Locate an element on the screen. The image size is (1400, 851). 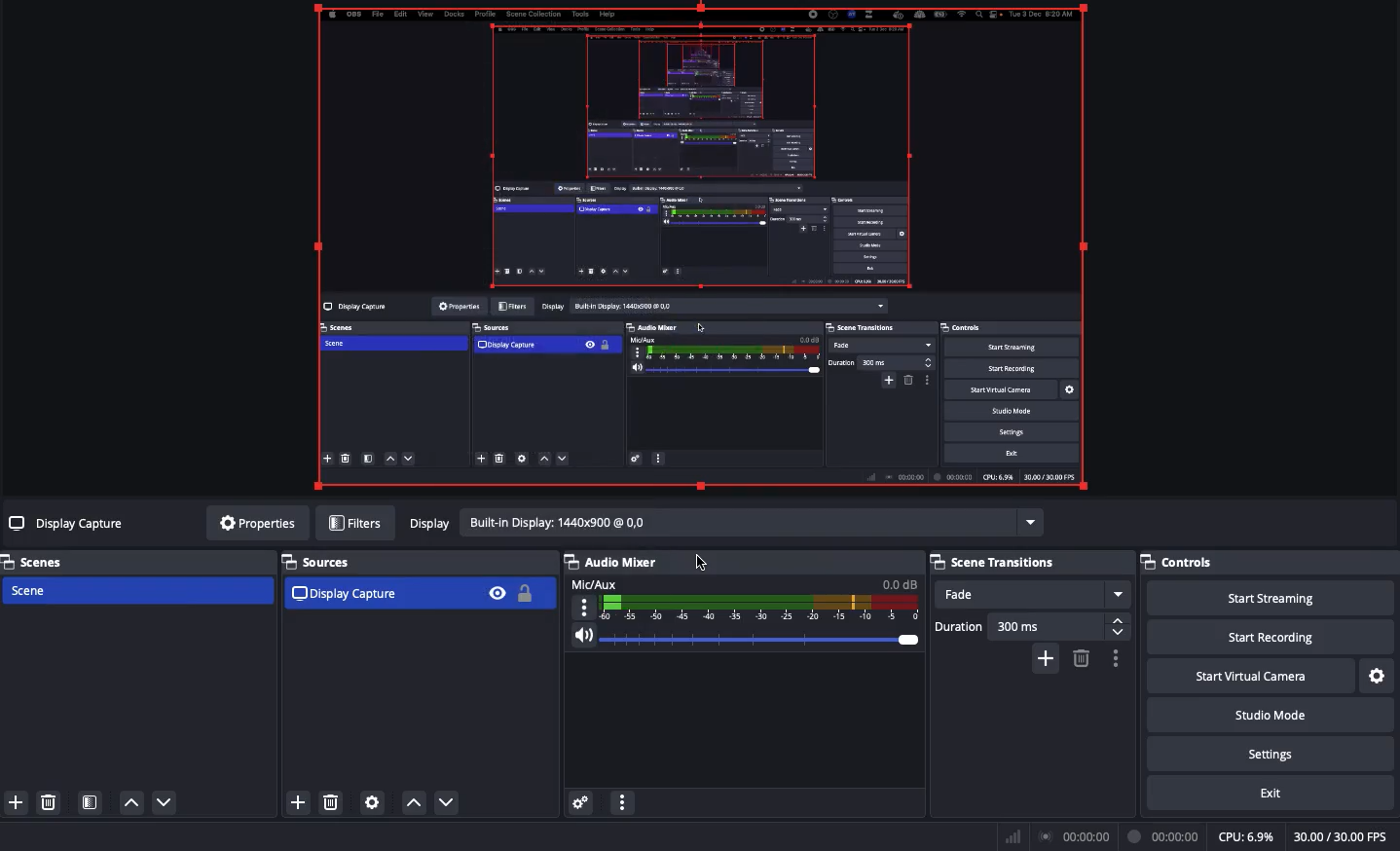
Settings is located at coordinates (1277, 756).